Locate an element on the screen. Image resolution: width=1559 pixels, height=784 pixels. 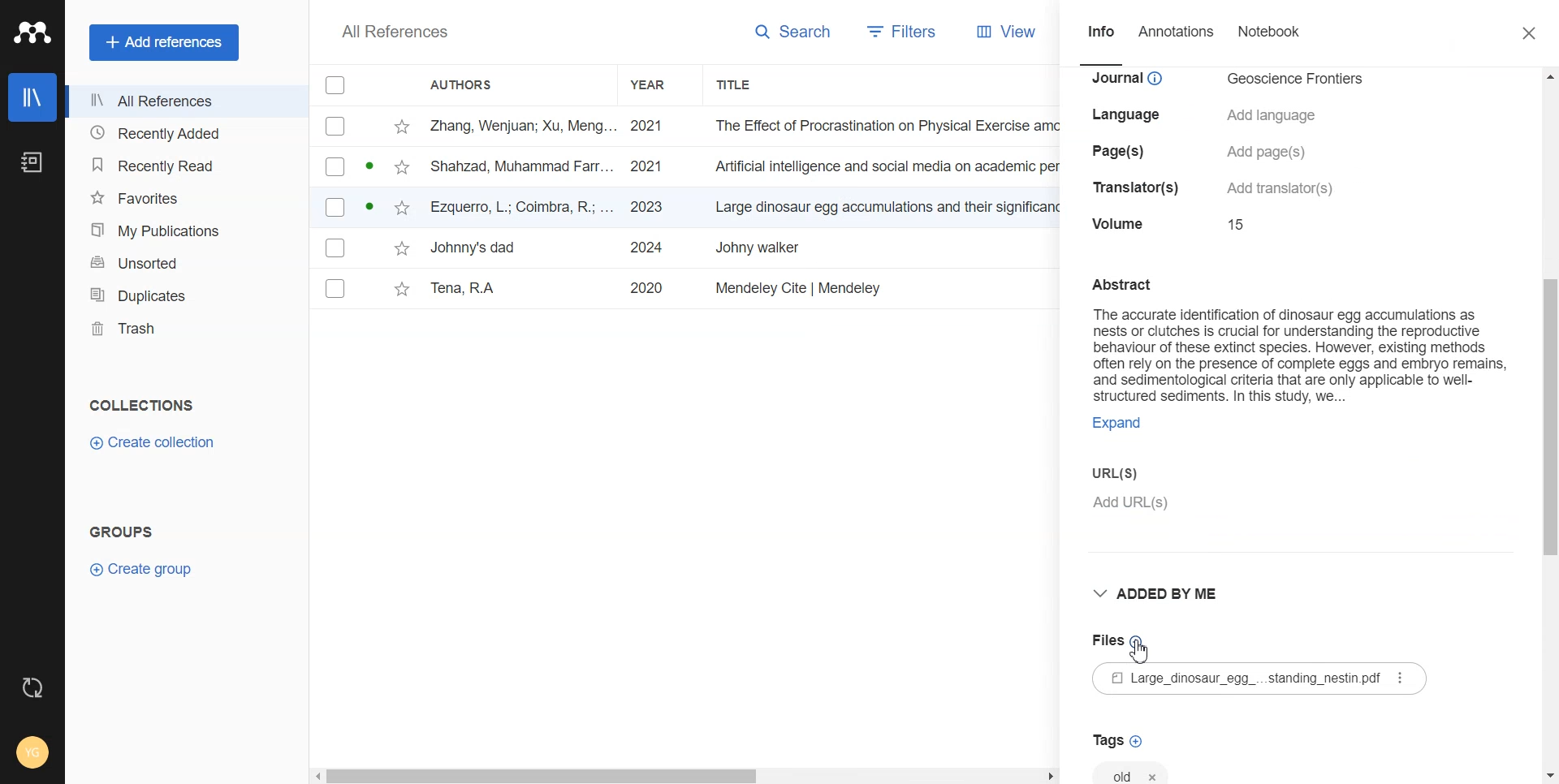
Notebook is located at coordinates (34, 163).